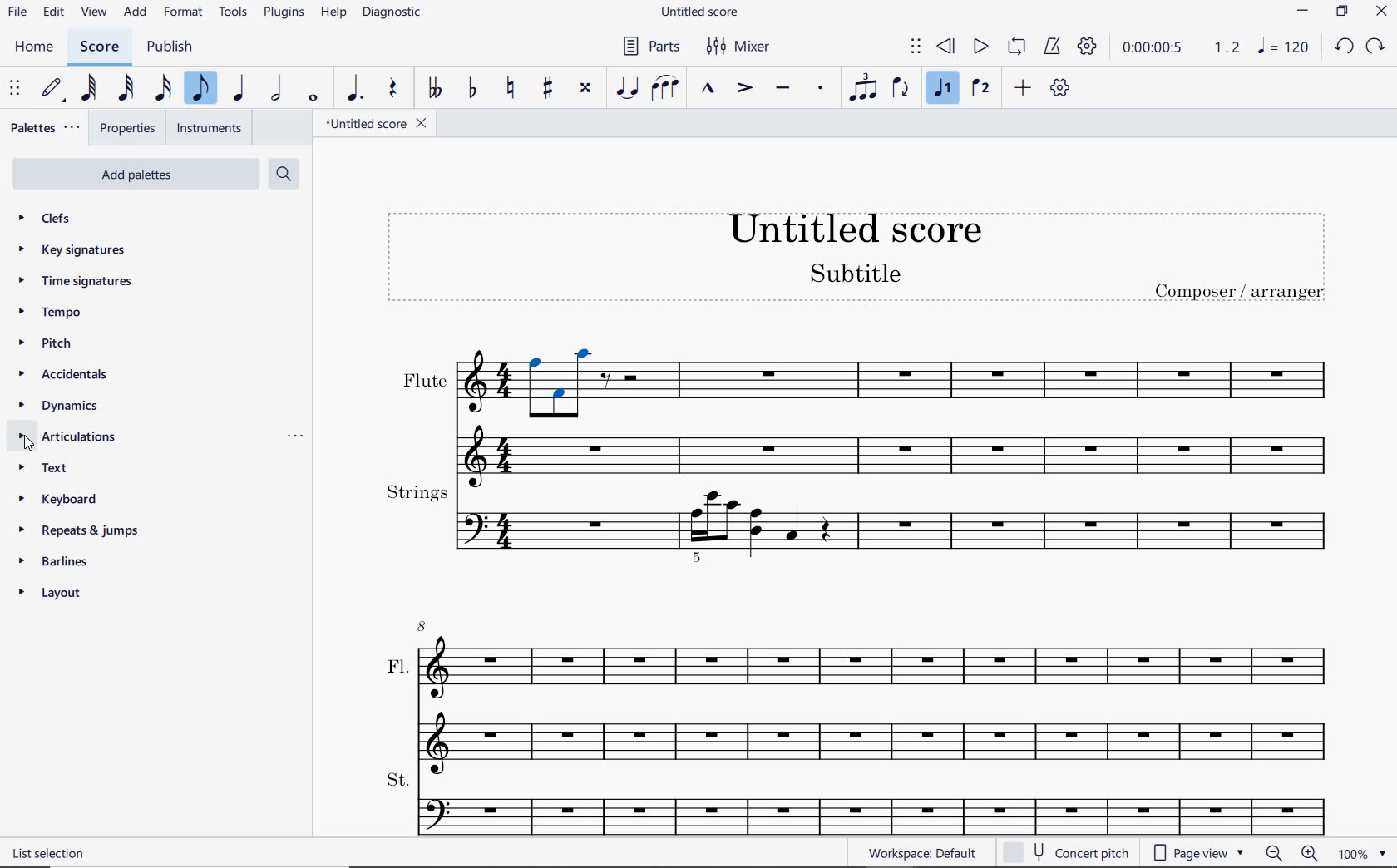 The height and width of the screenshot is (868, 1397). I want to click on TOGGLE SHARP, so click(548, 87).